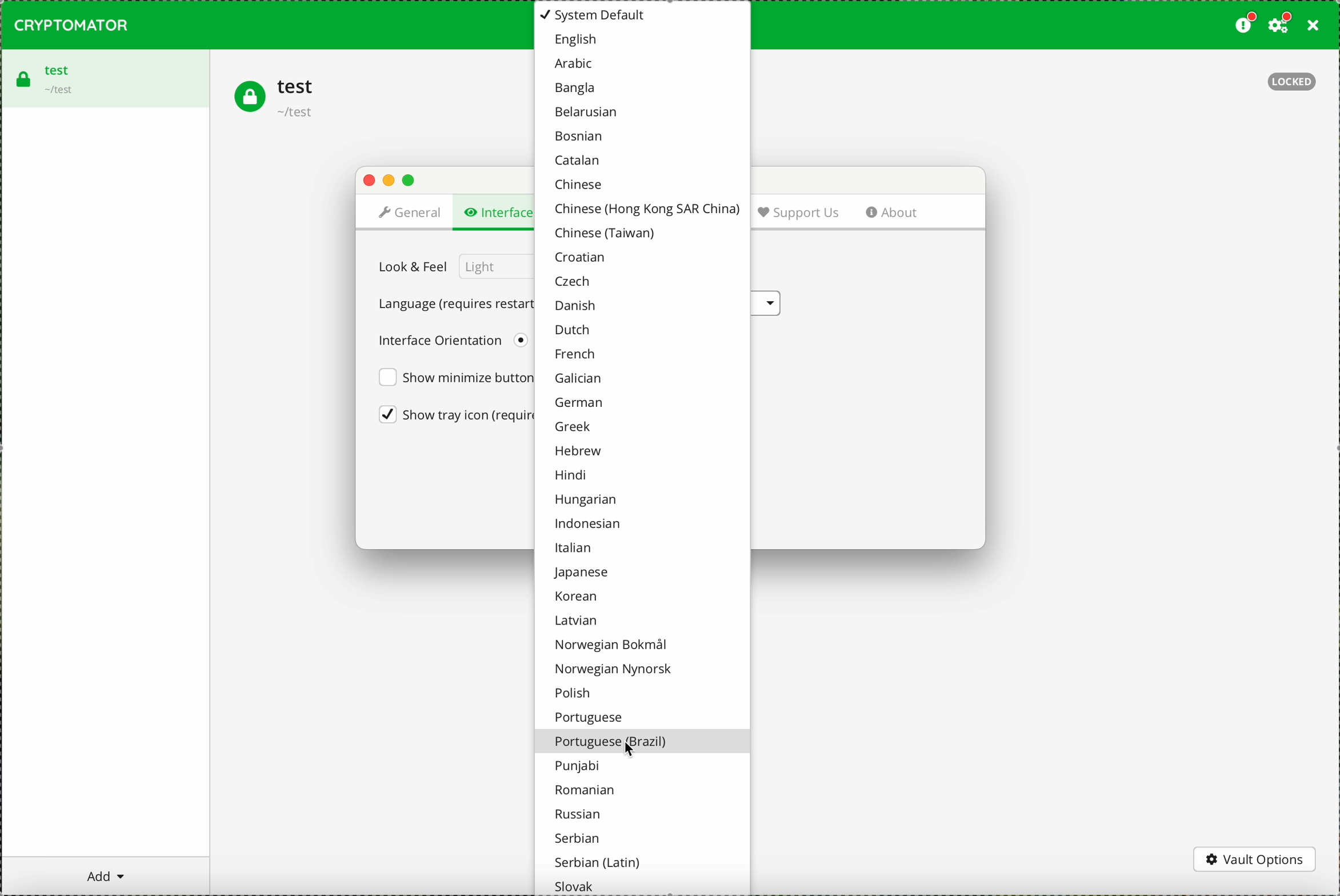 This screenshot has width=1340, height=896. What do you see at coordinates (576, 90) in the screenshot?
I see `bangla` at bounding box center [576, 90].